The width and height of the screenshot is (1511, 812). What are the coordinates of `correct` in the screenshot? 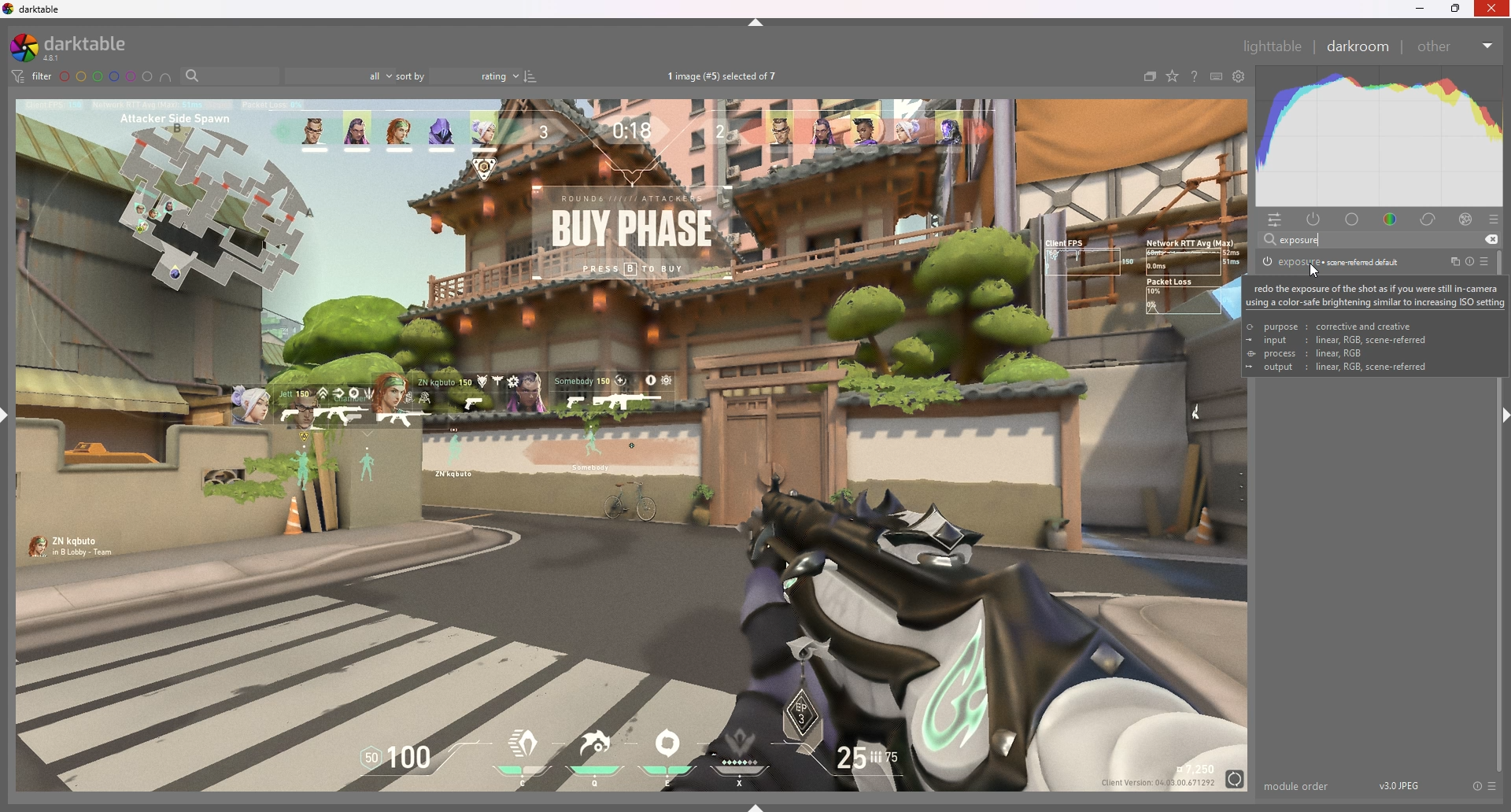 It's located at (1430, 220).